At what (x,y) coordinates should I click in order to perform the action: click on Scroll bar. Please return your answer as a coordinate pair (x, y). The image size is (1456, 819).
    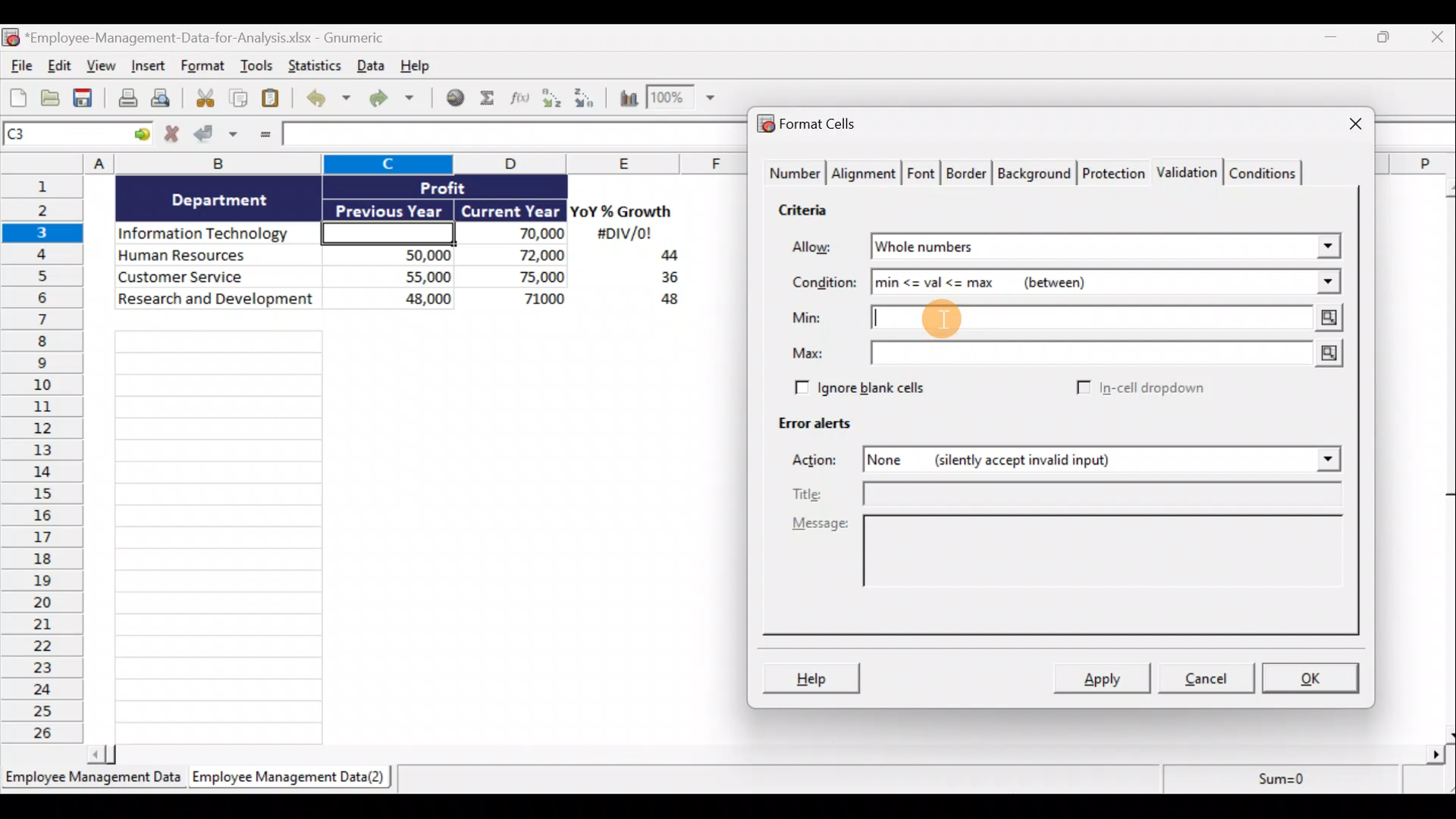
    Looking at the image, I should click on (1443, 457).